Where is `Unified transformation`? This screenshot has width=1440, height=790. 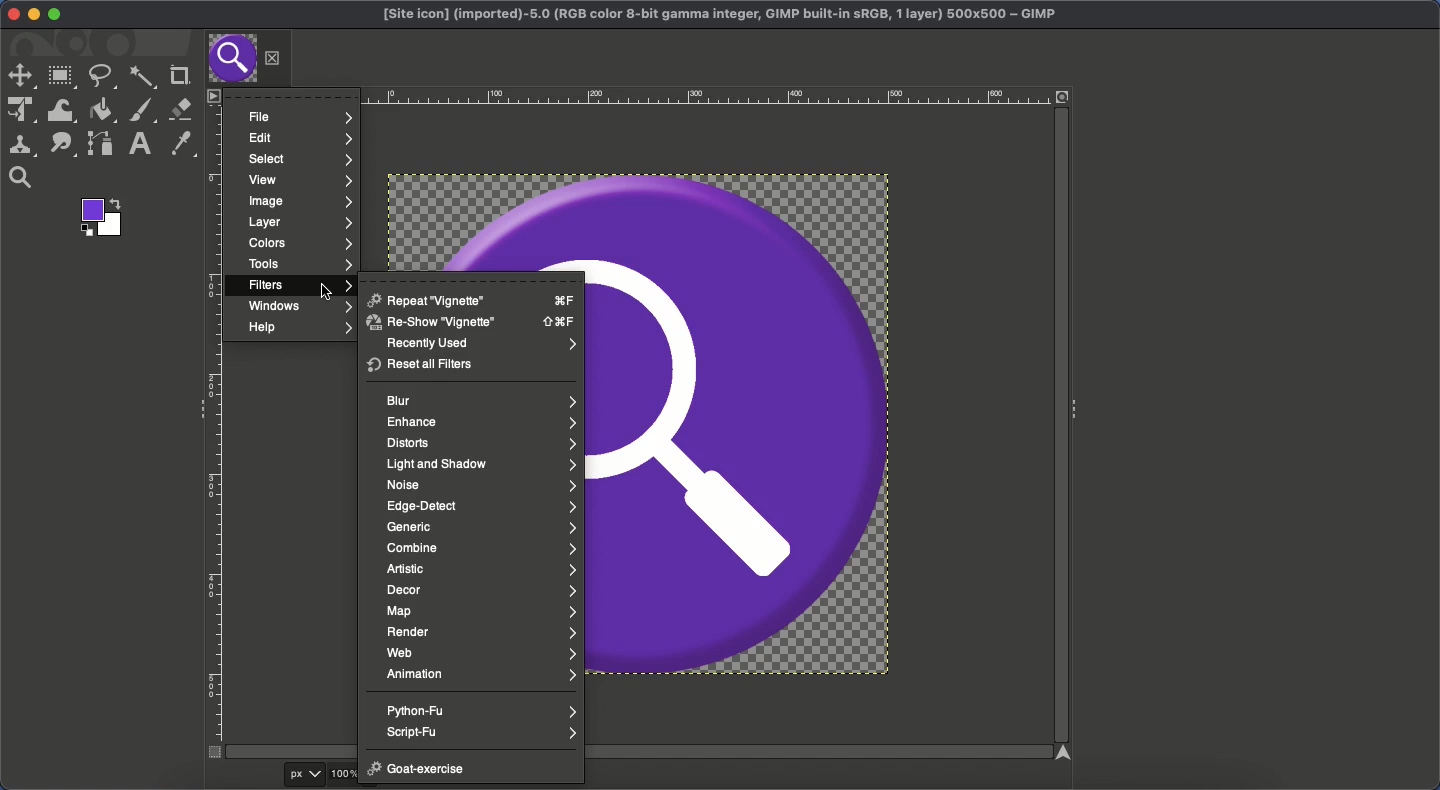 Unified transformation is located at coordinates (19, 111).